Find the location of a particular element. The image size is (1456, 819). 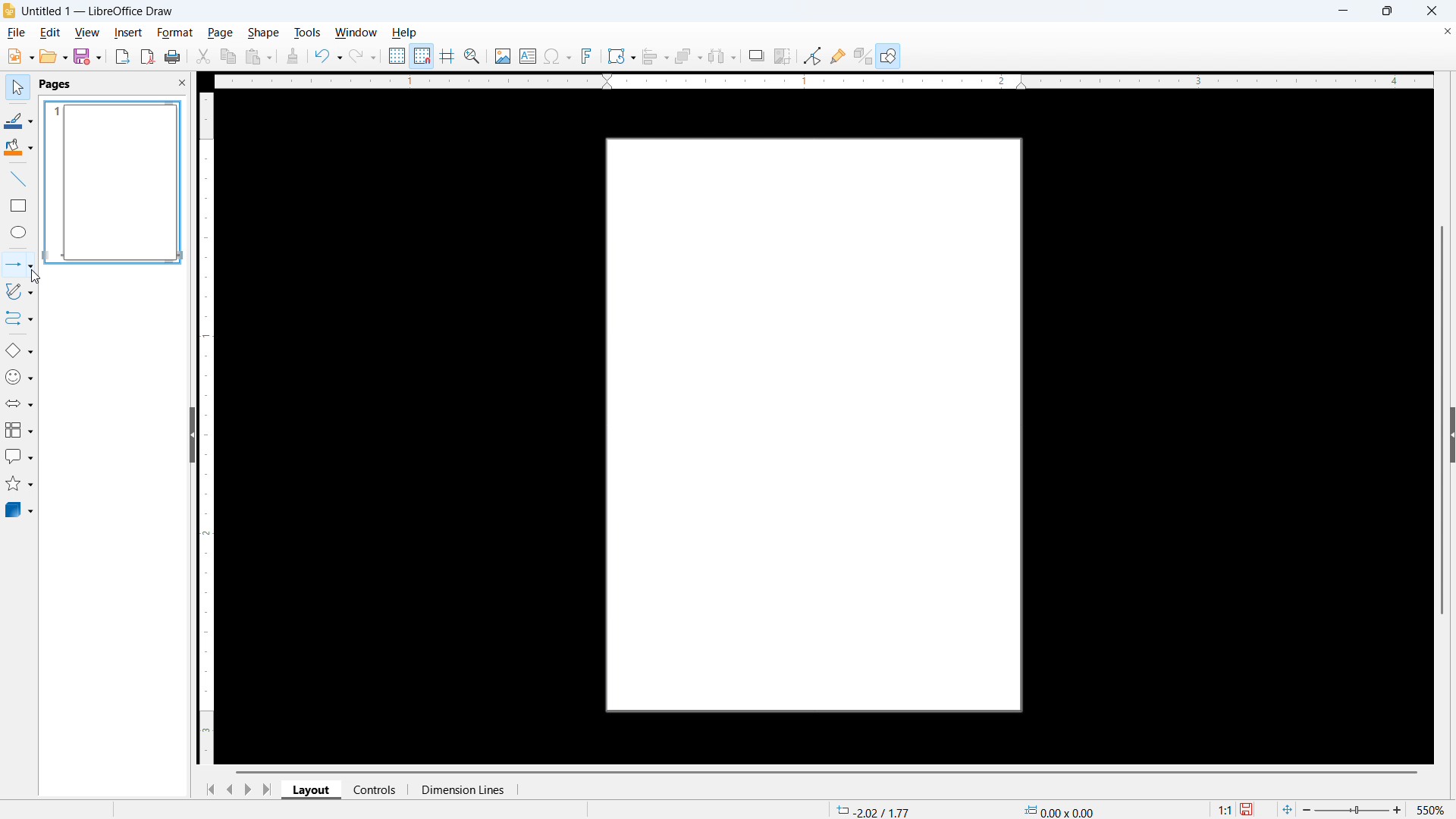

Cut   is located at coordinates (204, 57).